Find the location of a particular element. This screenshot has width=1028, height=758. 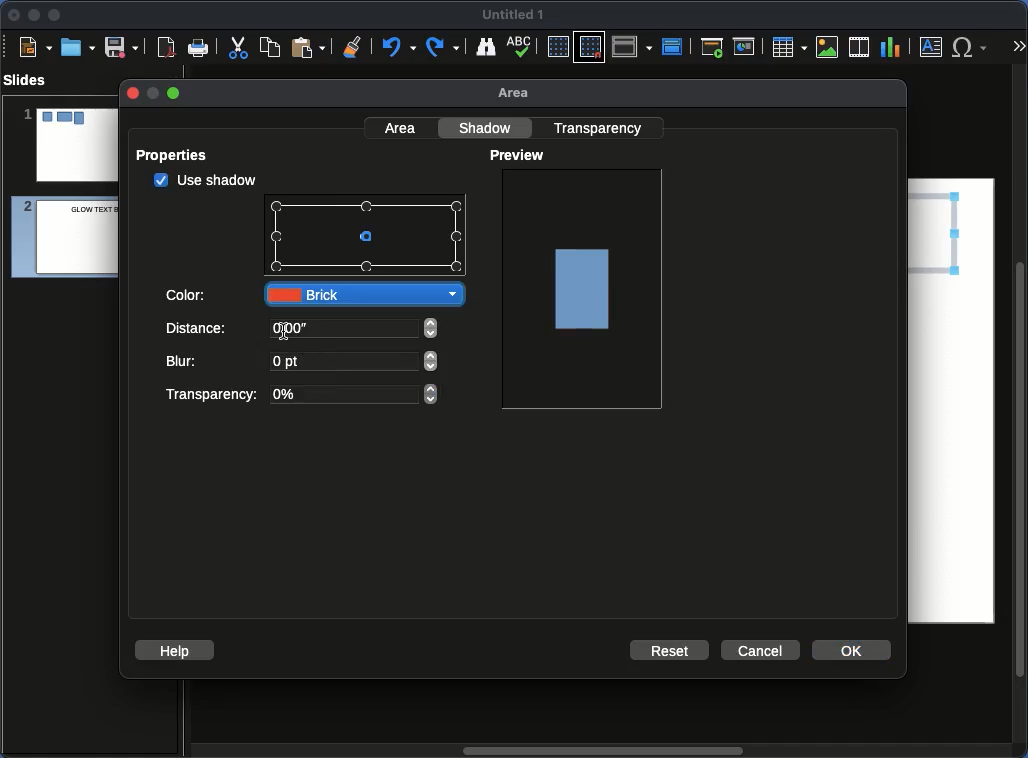

Distance is located at coordinates (304, 332).